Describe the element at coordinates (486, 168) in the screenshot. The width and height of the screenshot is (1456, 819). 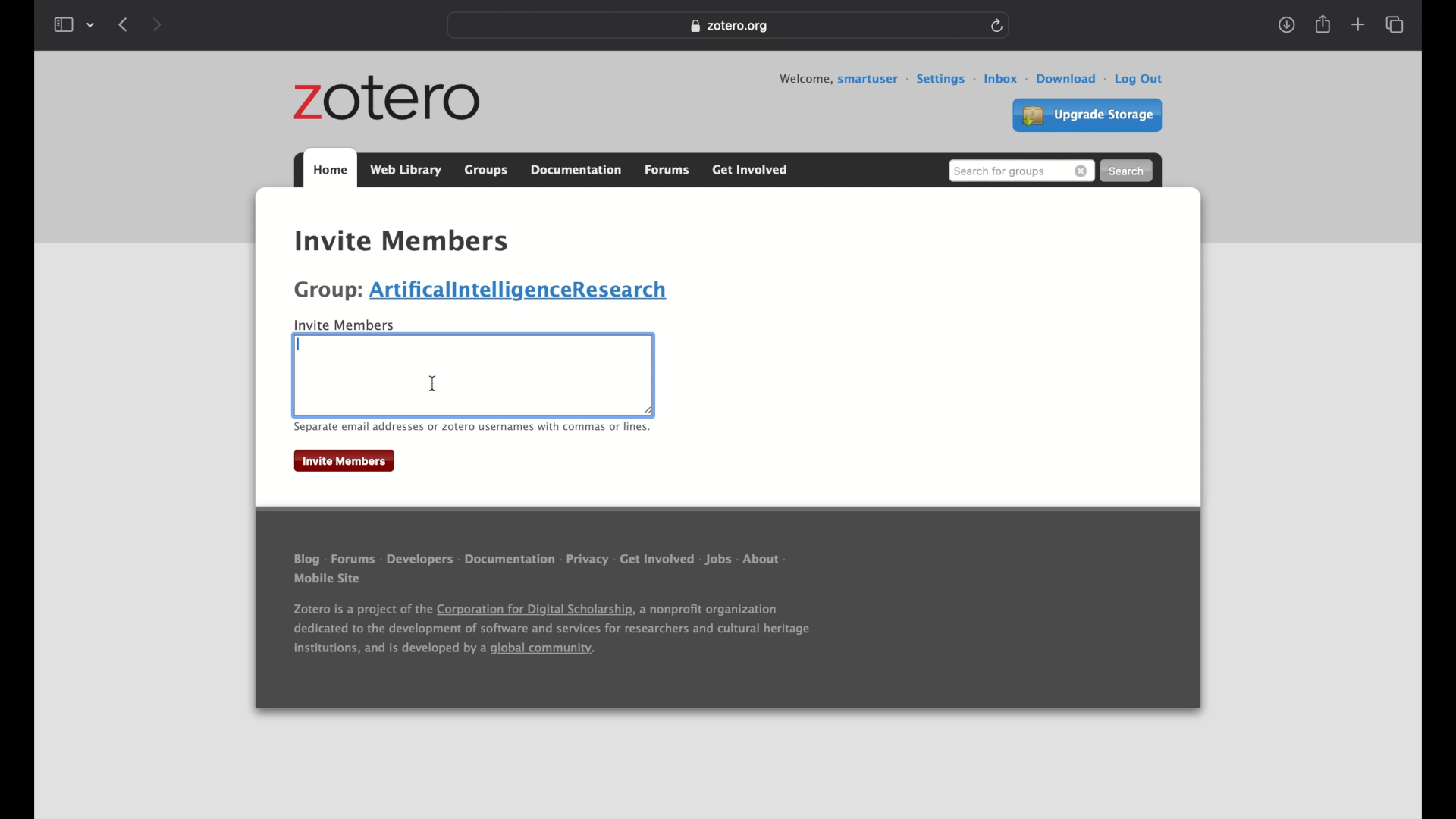
I see `groups tab` at that location.